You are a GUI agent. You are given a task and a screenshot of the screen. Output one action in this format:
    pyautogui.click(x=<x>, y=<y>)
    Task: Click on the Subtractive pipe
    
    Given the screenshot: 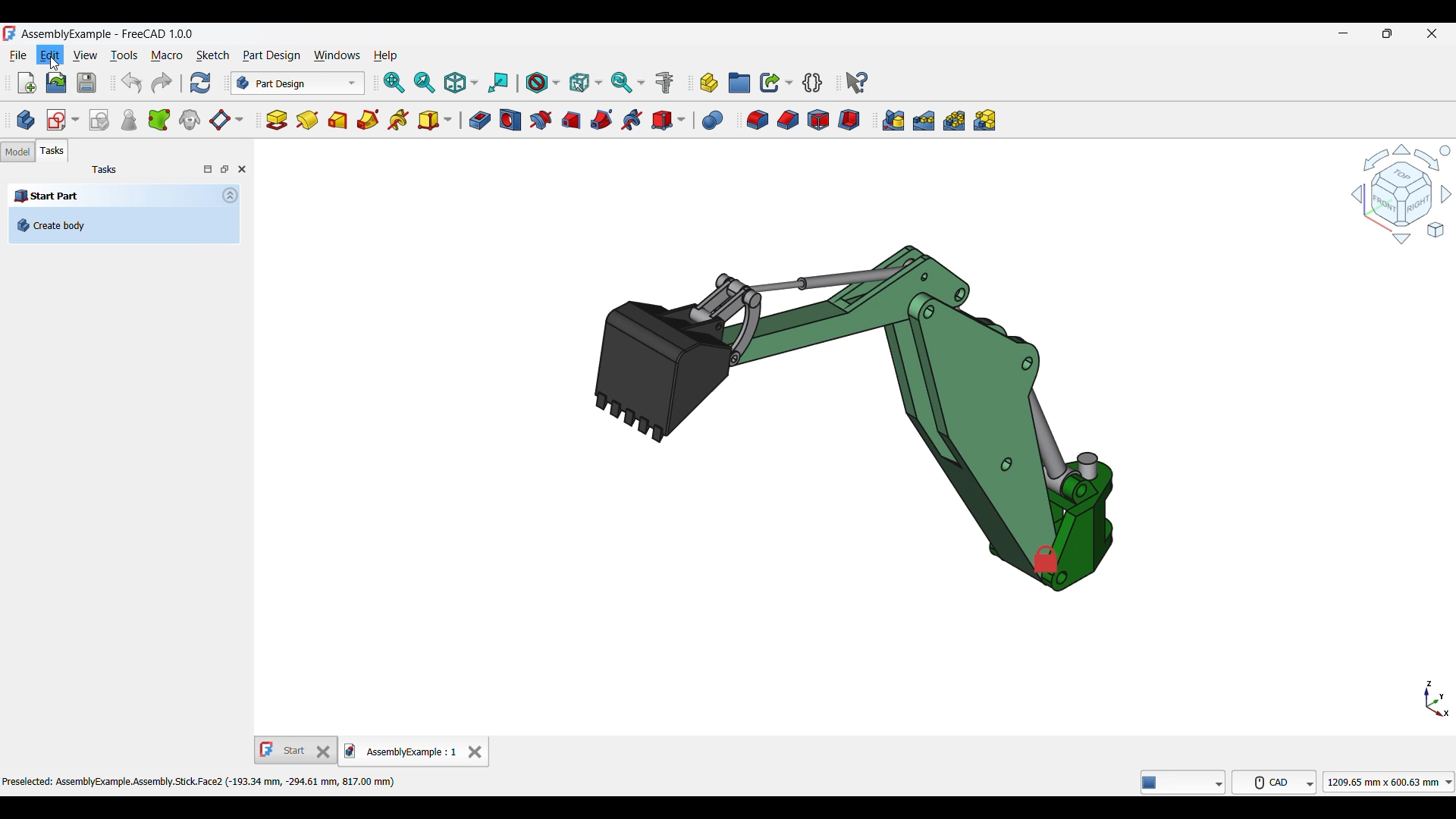 What is the action you would take?
    pyautogui.click(x=601, y=120)
    